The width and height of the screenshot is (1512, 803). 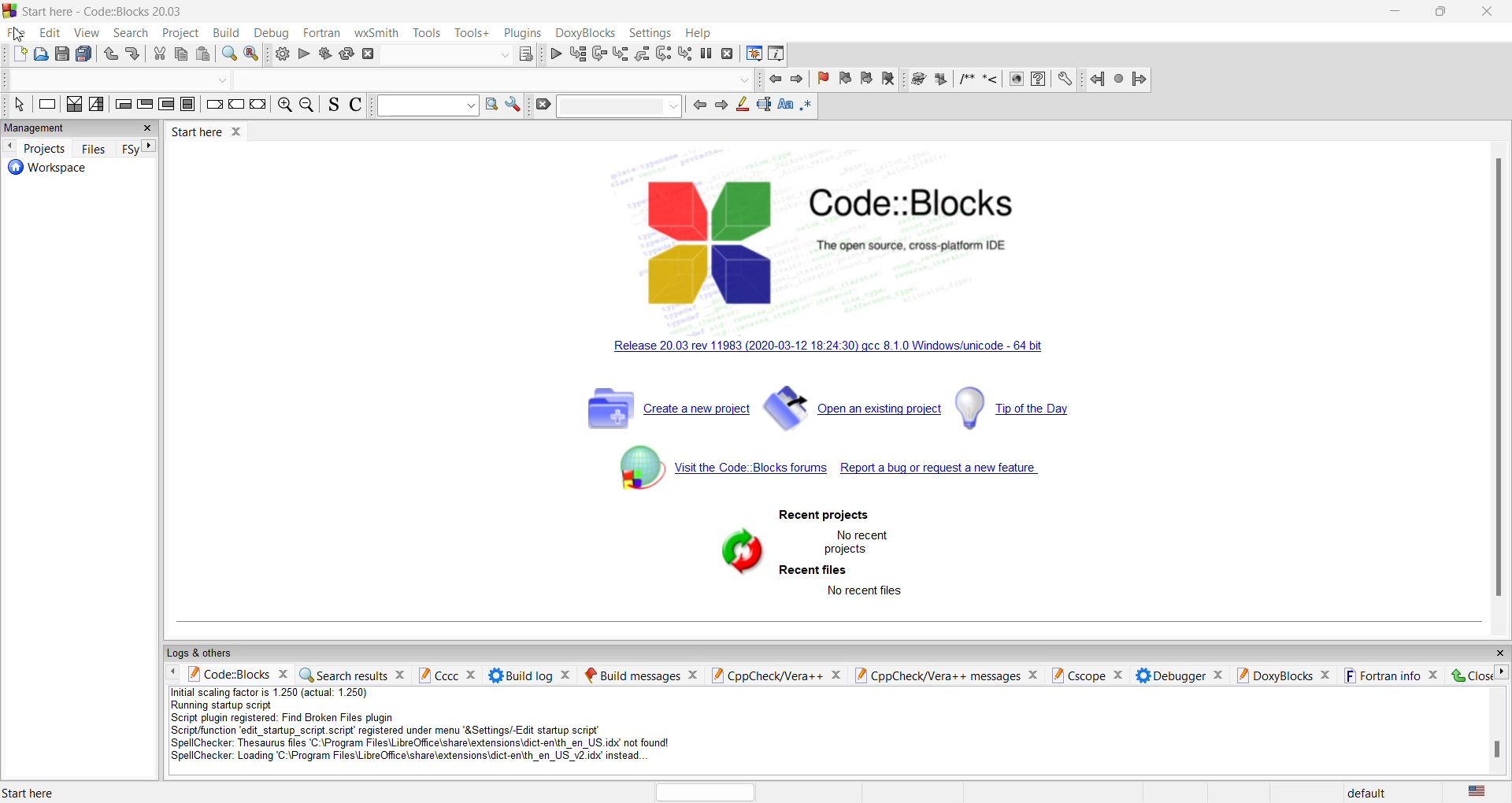 What do you see at coordinates (663, 55) in the screenshot?
I see `next instruction` at bounding box center [663, 55].